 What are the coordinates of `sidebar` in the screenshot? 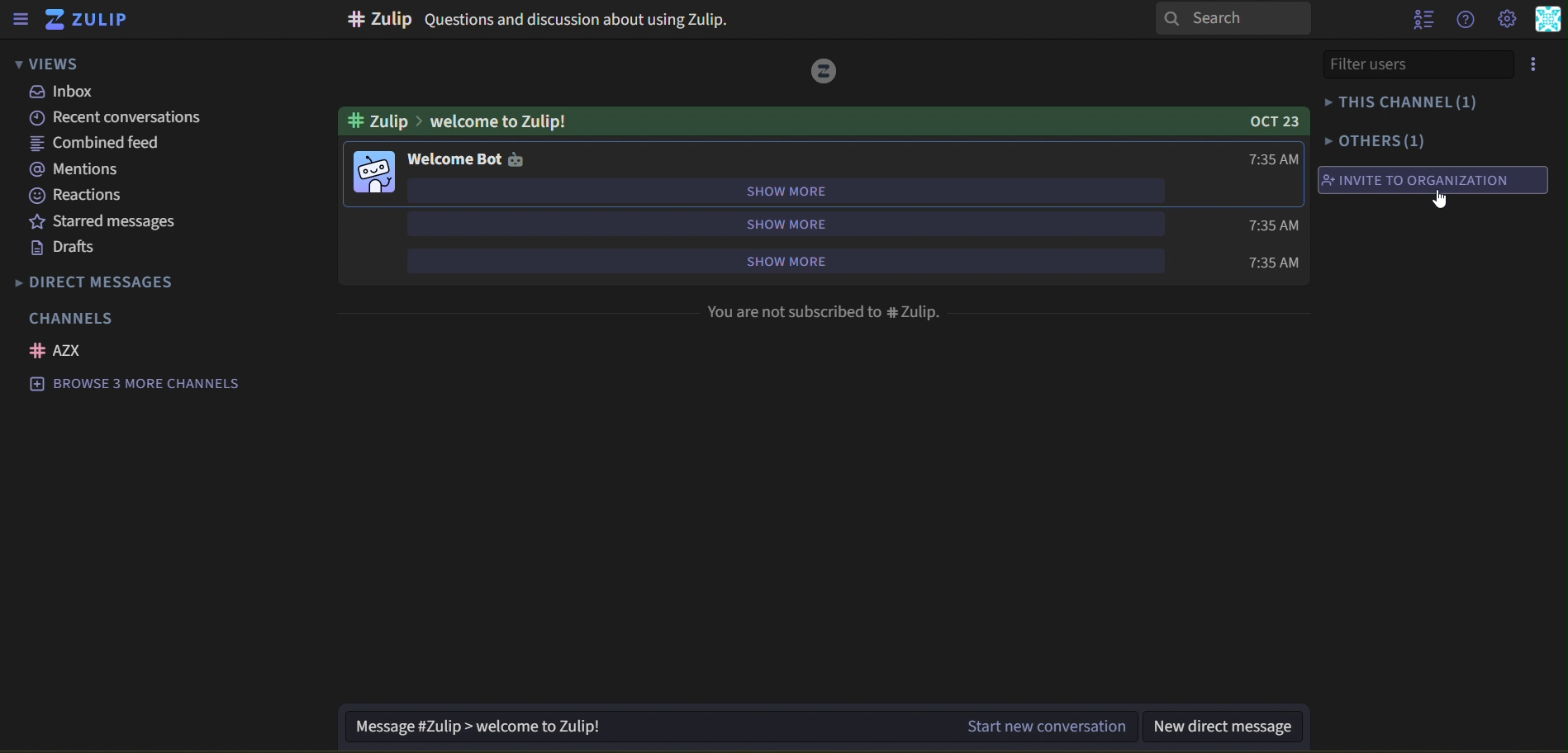 It's located at (23, 19).